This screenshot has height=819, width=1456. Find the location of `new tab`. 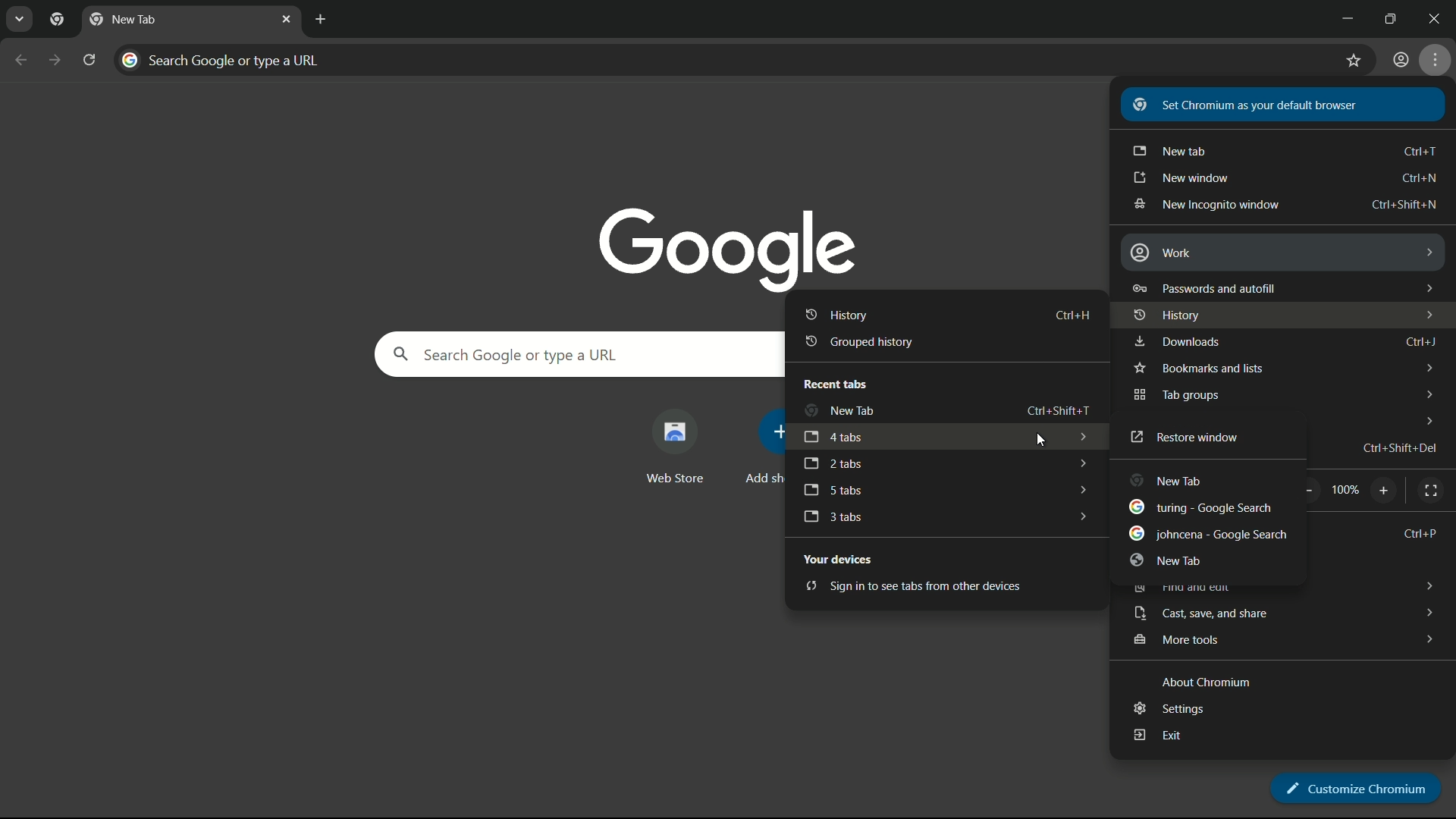

new tab is located at coordinates (838, 411).